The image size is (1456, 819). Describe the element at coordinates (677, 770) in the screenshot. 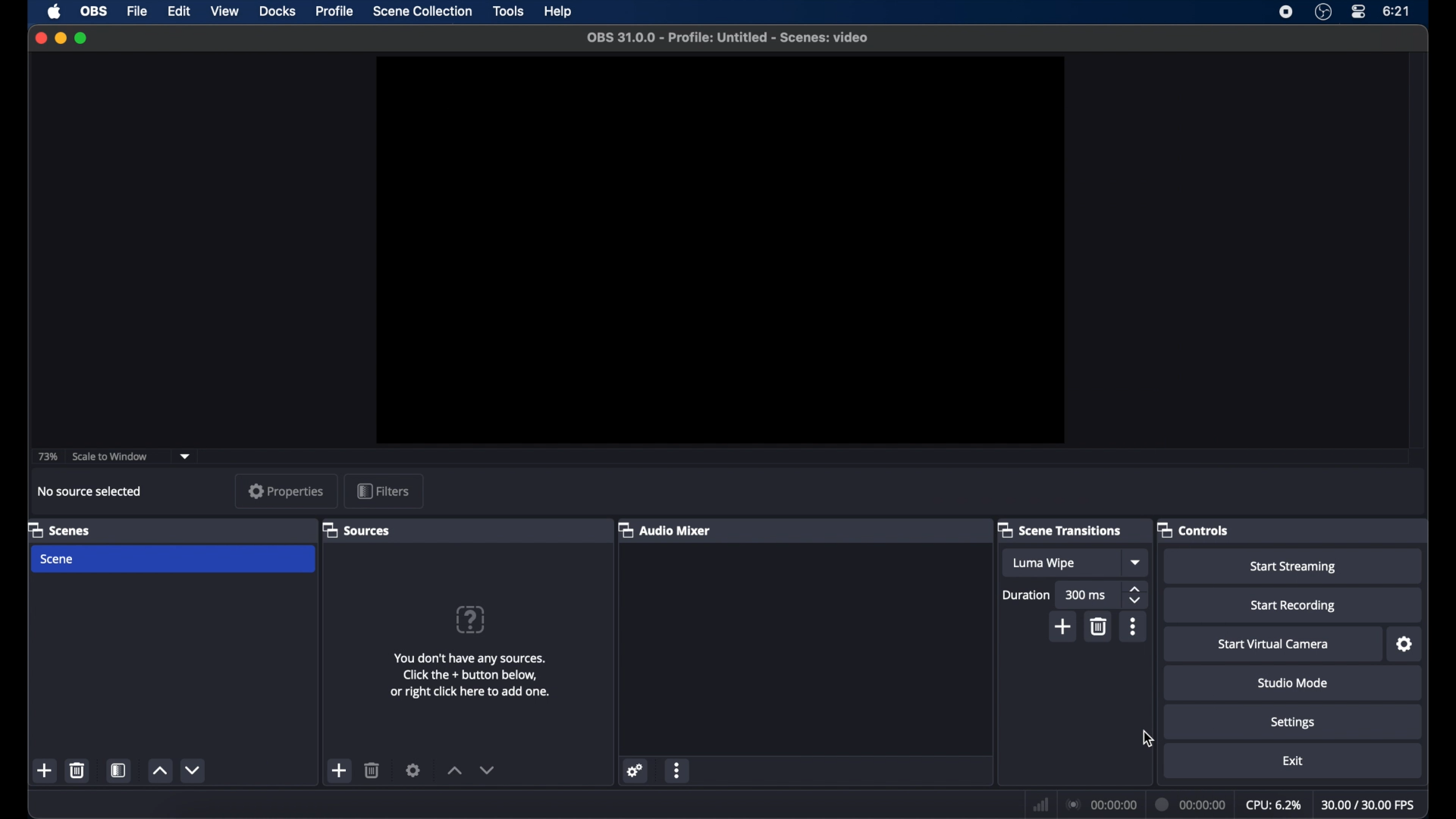

I see `more options` at that location.